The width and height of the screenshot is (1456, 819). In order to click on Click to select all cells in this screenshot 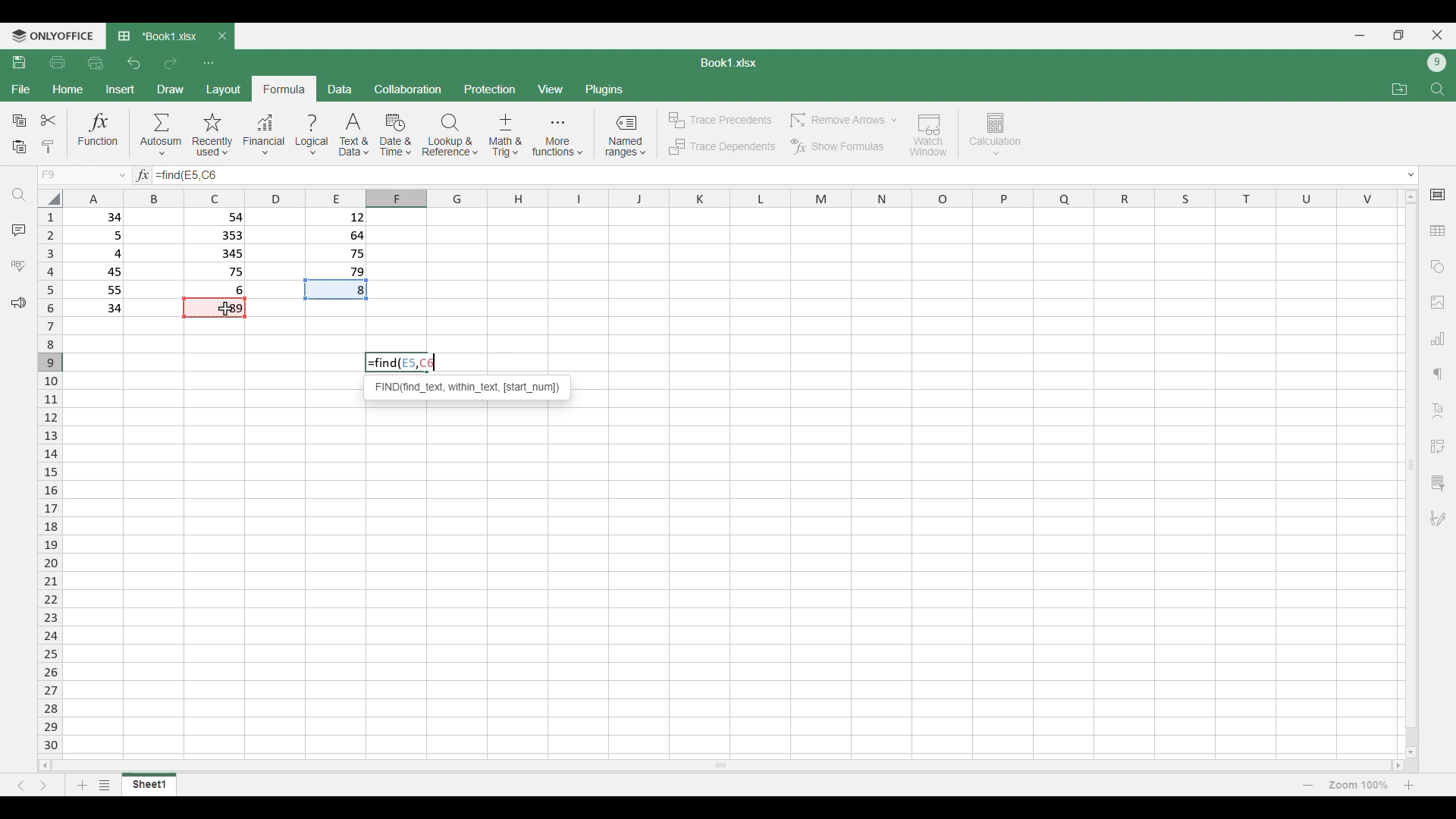, I will do `click(49, 198)`.